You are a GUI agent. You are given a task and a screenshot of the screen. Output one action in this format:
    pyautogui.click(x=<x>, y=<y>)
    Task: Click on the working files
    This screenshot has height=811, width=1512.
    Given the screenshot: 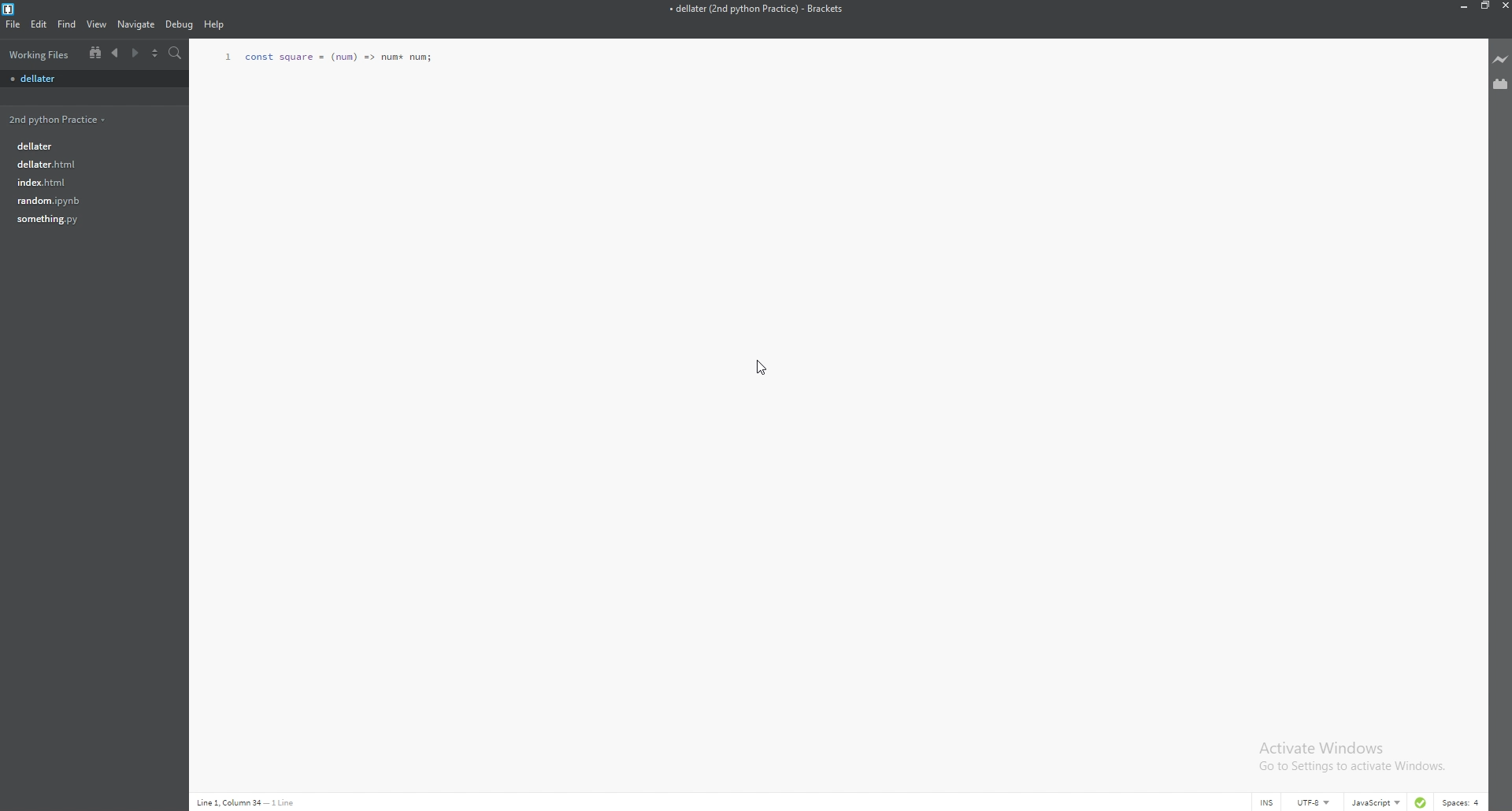 What is the action you would take?
    pyautogui.click(x=40, y=54)
    